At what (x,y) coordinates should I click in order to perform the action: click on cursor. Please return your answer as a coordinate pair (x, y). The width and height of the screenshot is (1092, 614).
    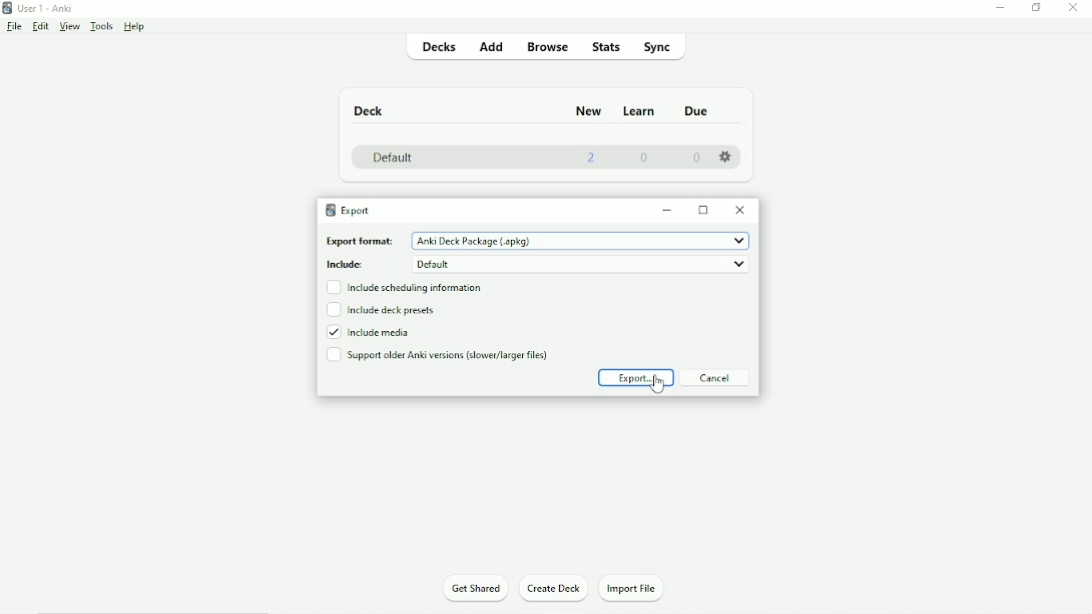
    Looking at the image, I should click on (658, 383).